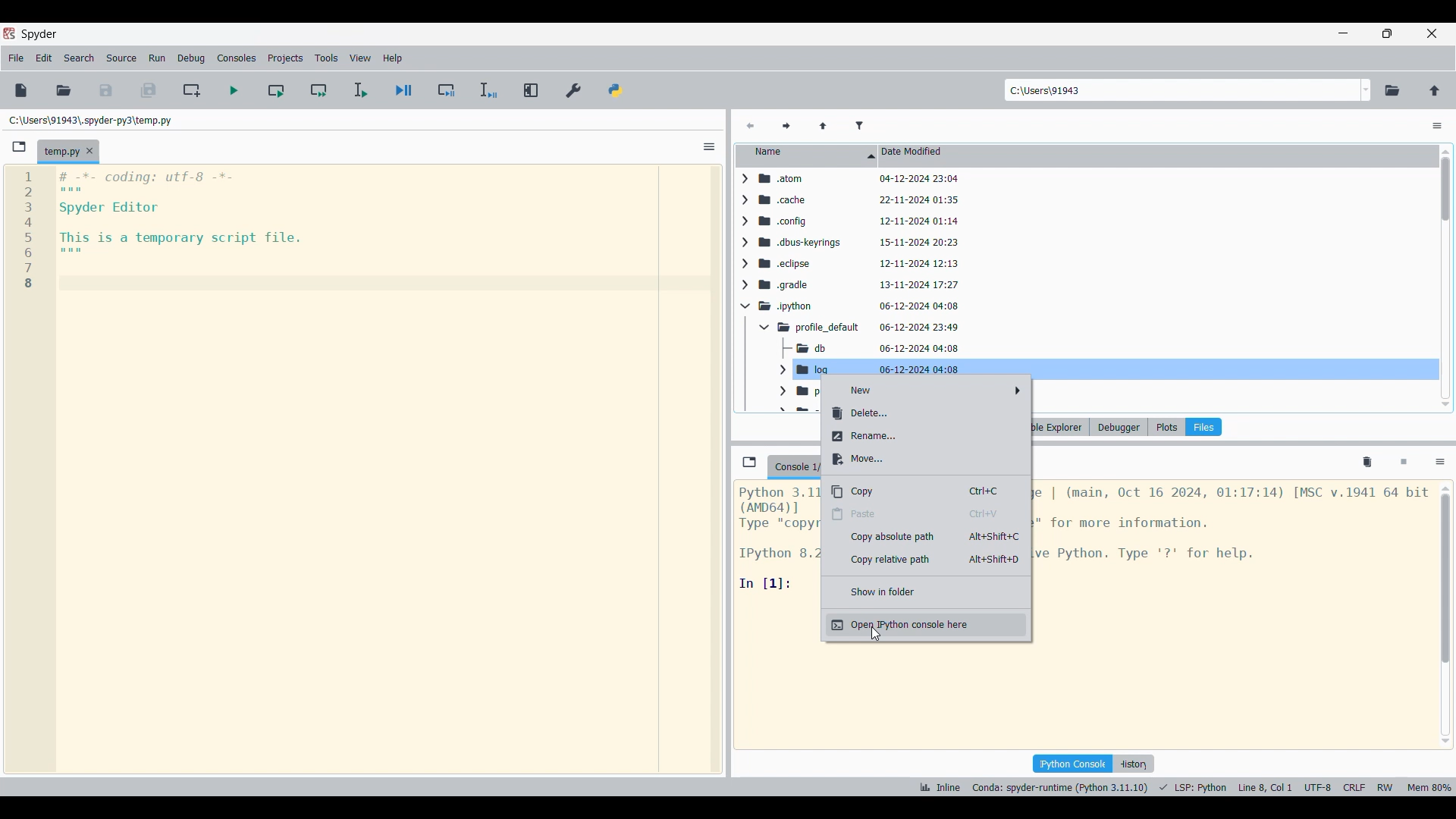 Image resolution: width=1456 pixels, height=819 pixels. What do you see at coordinates (106, 91) in the screenshot?
I see `Save file` at bounding box center [106, 91].